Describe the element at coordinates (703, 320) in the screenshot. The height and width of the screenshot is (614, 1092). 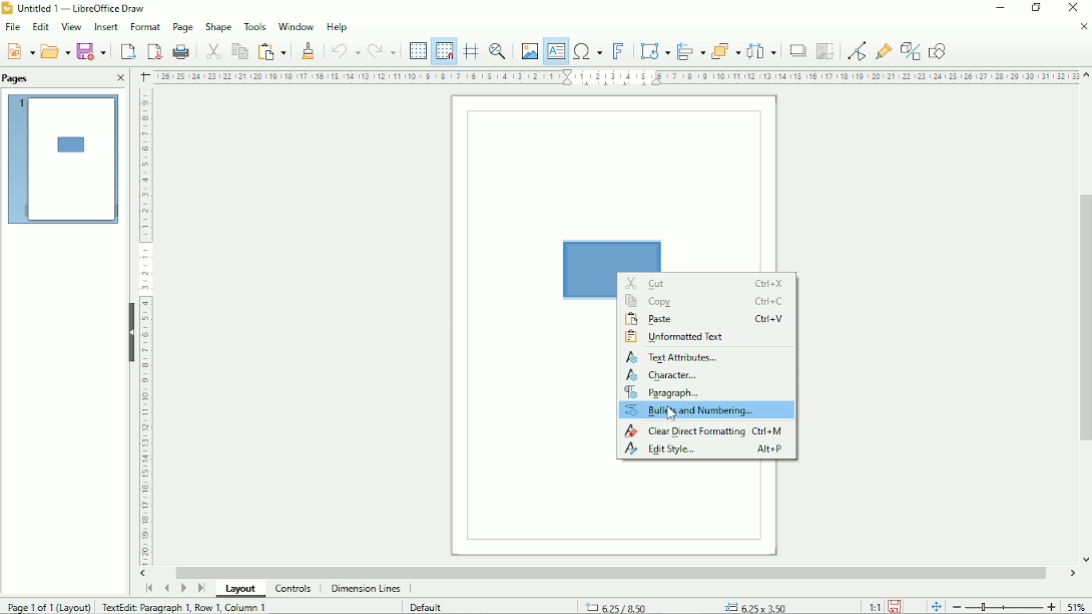
I see `Paste` at that location.